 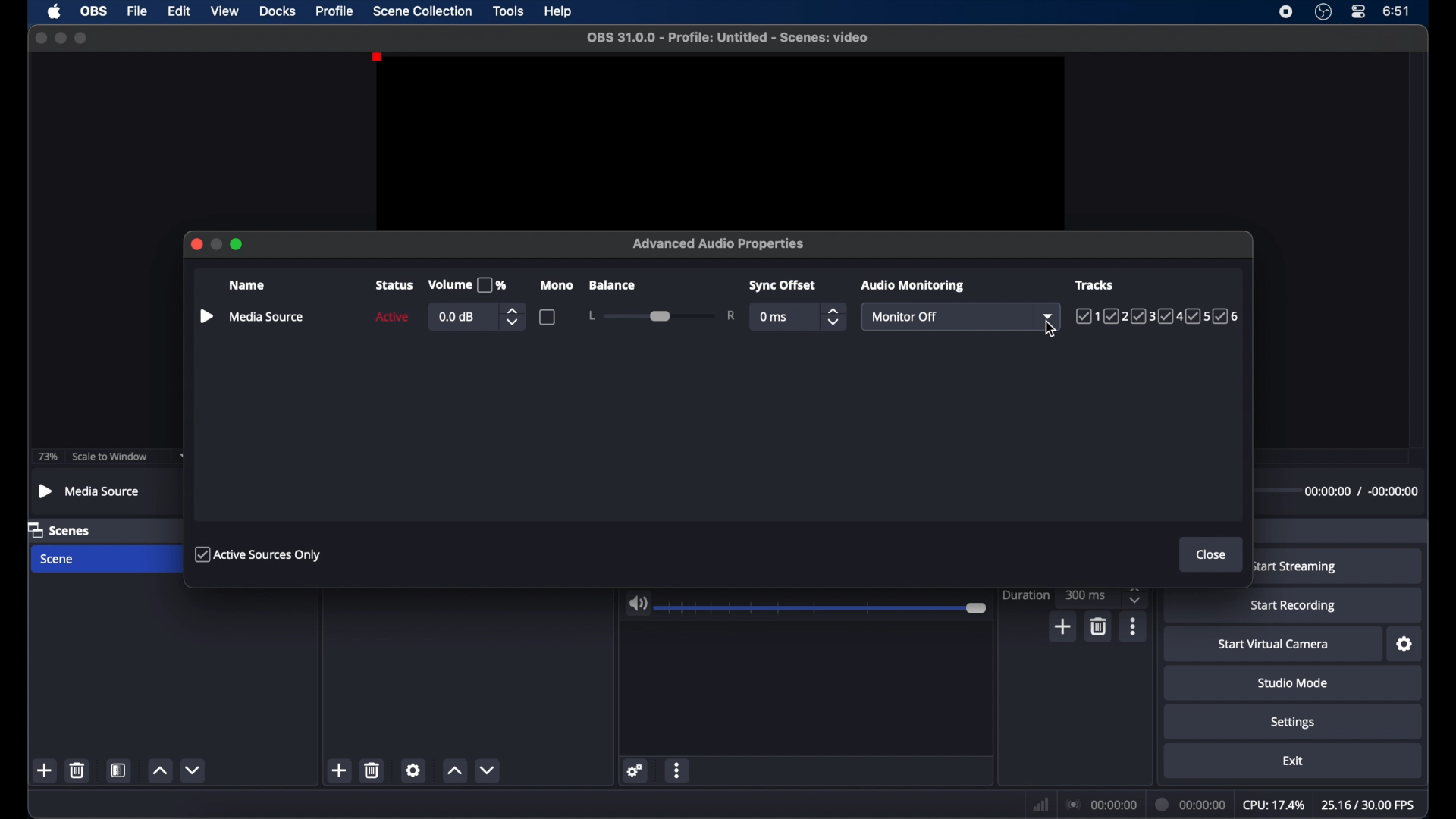 I want to click on active, so click(x=392, y=317).